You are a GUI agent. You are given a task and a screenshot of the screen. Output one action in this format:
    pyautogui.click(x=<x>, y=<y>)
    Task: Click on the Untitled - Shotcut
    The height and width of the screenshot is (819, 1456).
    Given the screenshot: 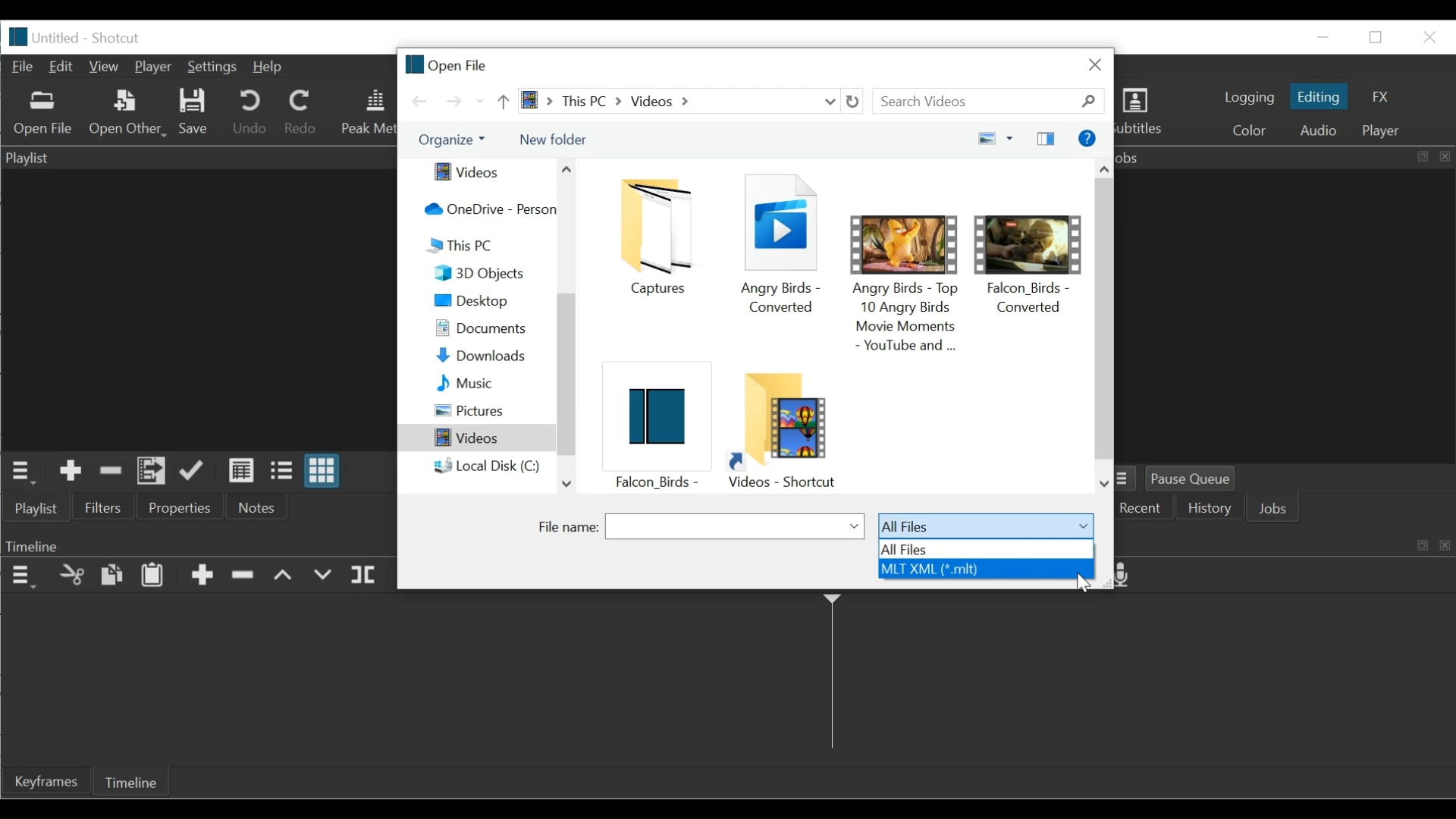 What is the action you would take?
    pyautogui.click(x=92, y=38)
    